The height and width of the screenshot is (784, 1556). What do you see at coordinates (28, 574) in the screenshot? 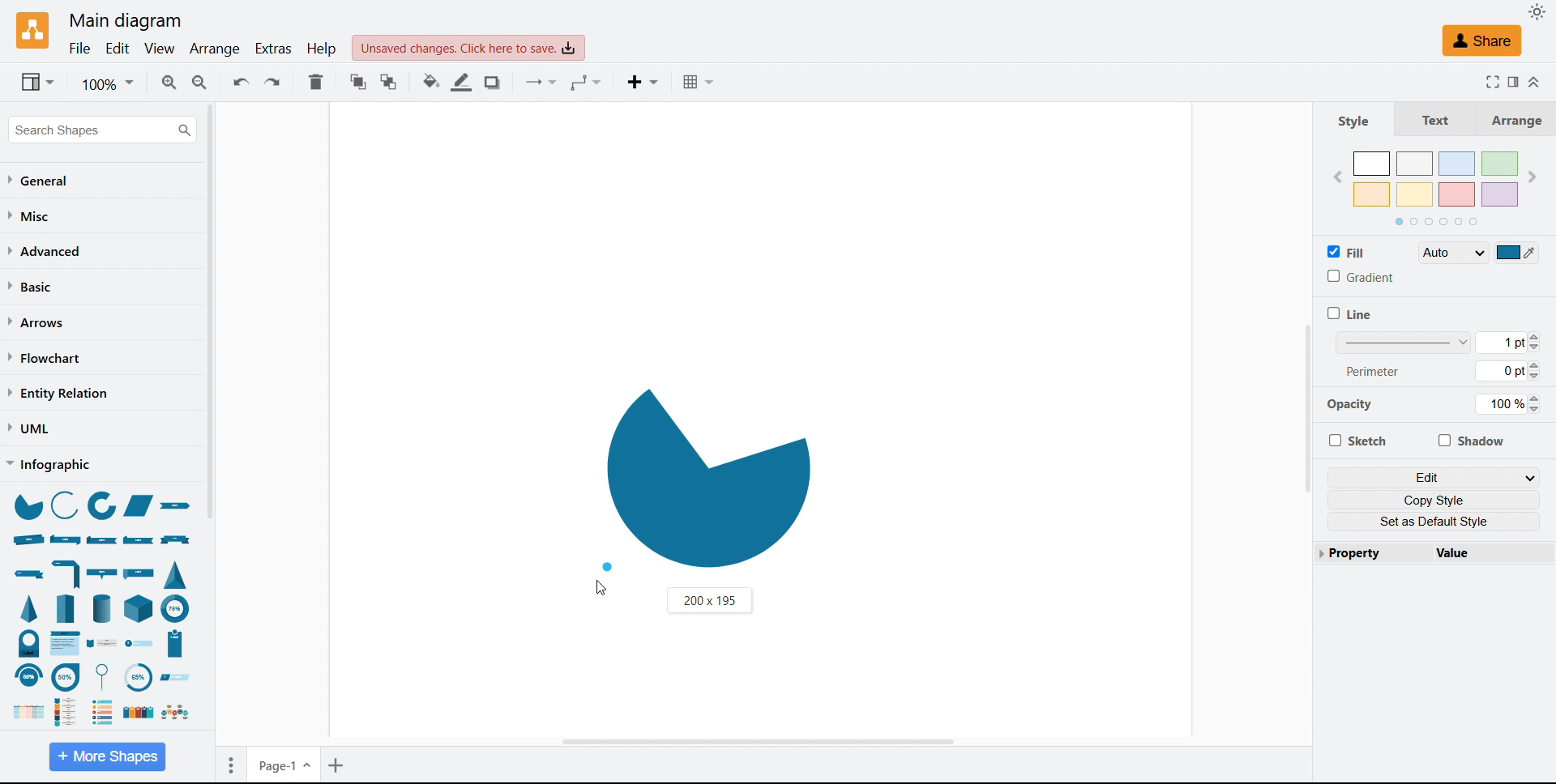
I see `banner single fold` at bounding box center [28, 574].